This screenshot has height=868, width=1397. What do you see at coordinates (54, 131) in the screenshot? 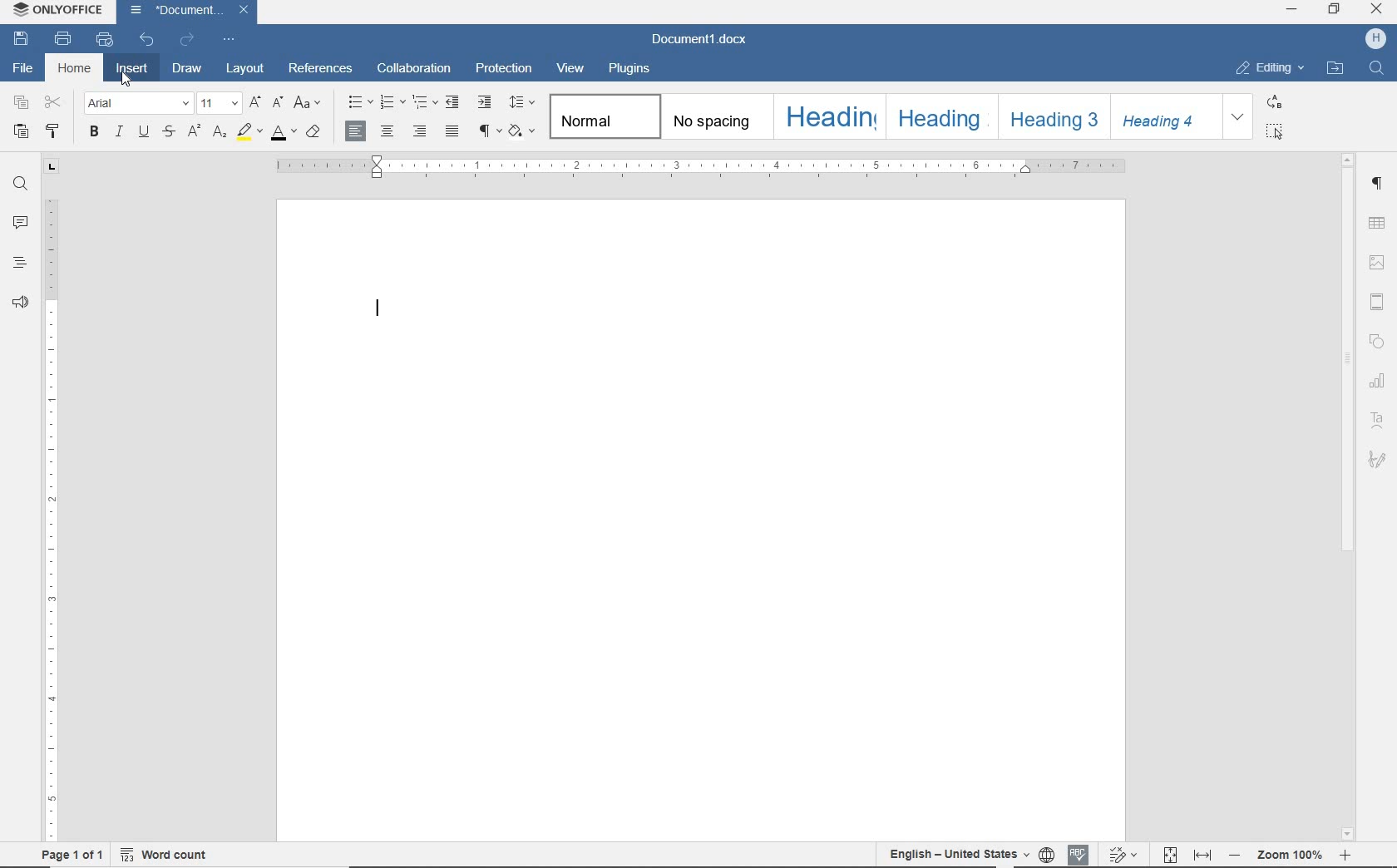
I see `copy style` at bounding box center [54, 131].